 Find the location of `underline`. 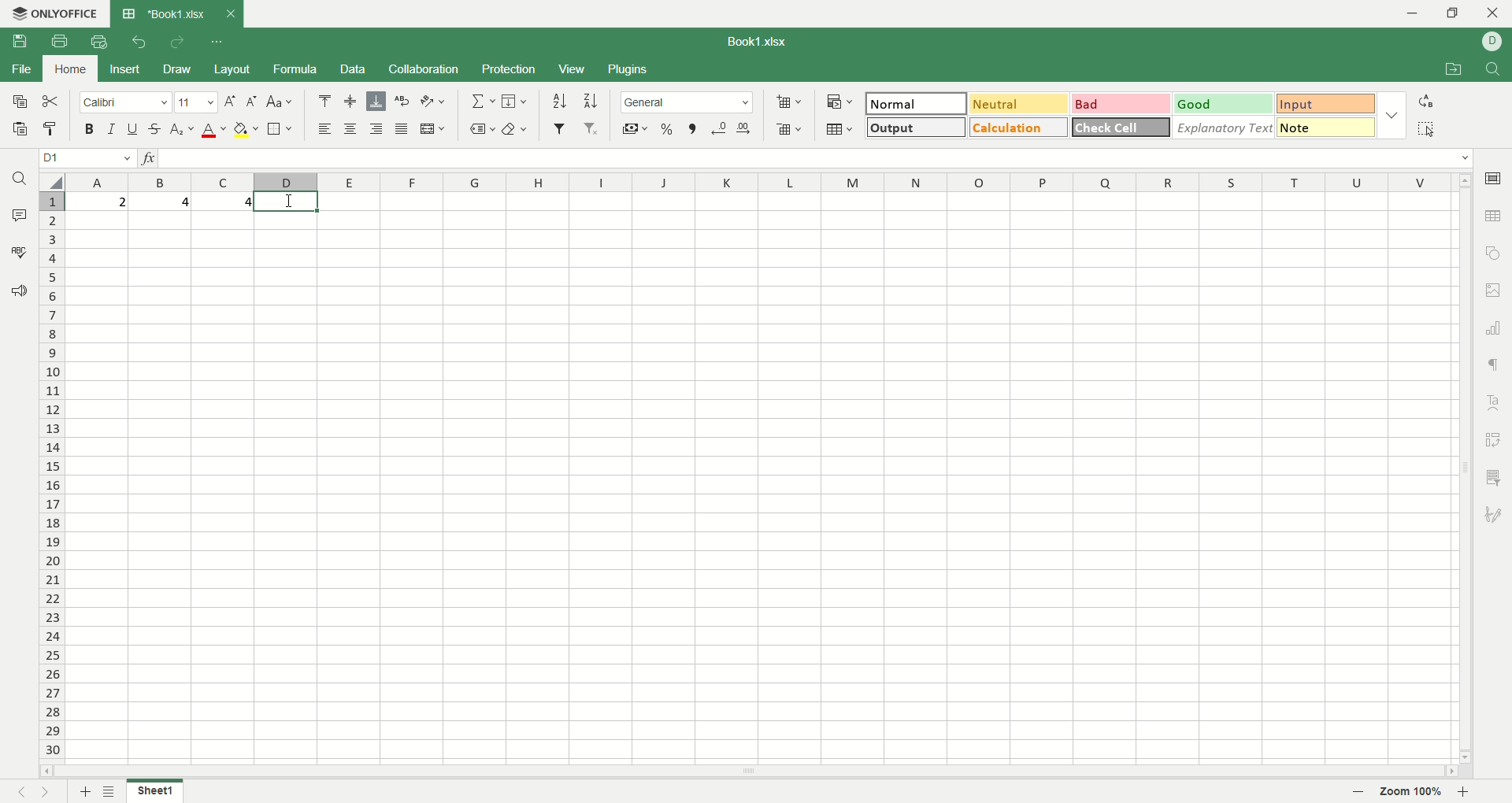

underline is located at coordinates (134, 129).